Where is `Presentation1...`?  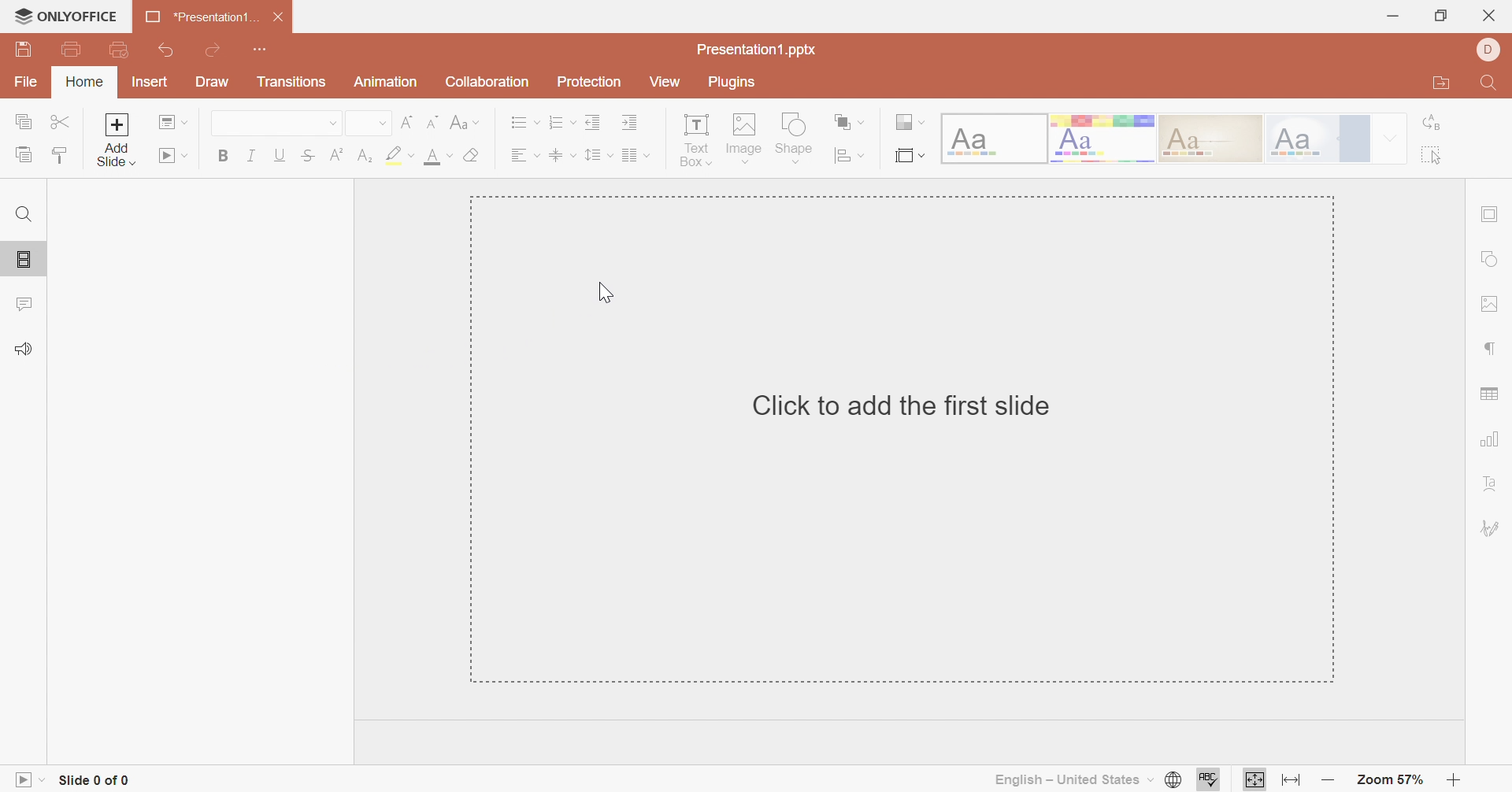
Presentation1... is located at coordinates (201, 16).